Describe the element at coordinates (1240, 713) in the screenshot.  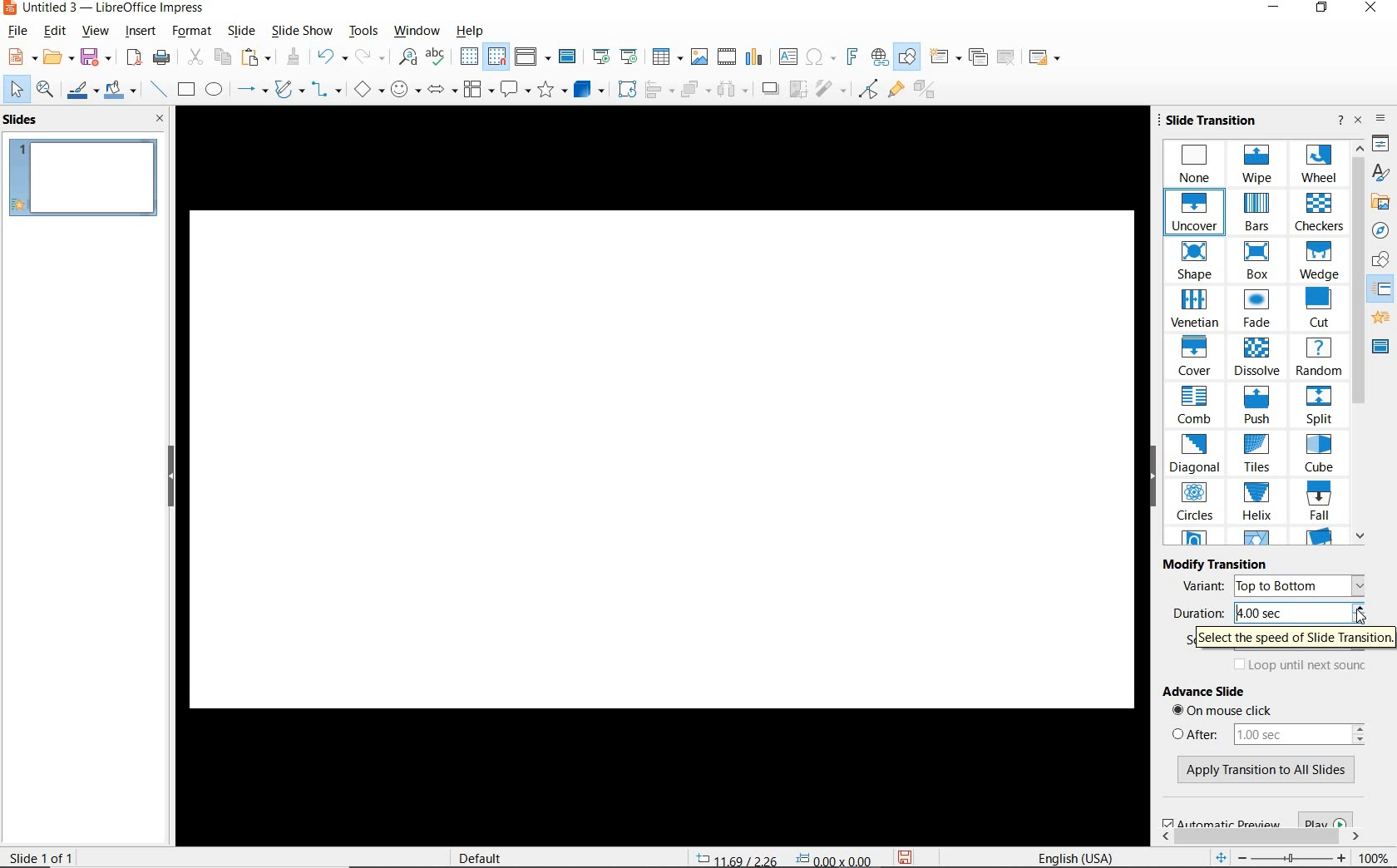
I see `ON MOUSE CLICK` at that location.